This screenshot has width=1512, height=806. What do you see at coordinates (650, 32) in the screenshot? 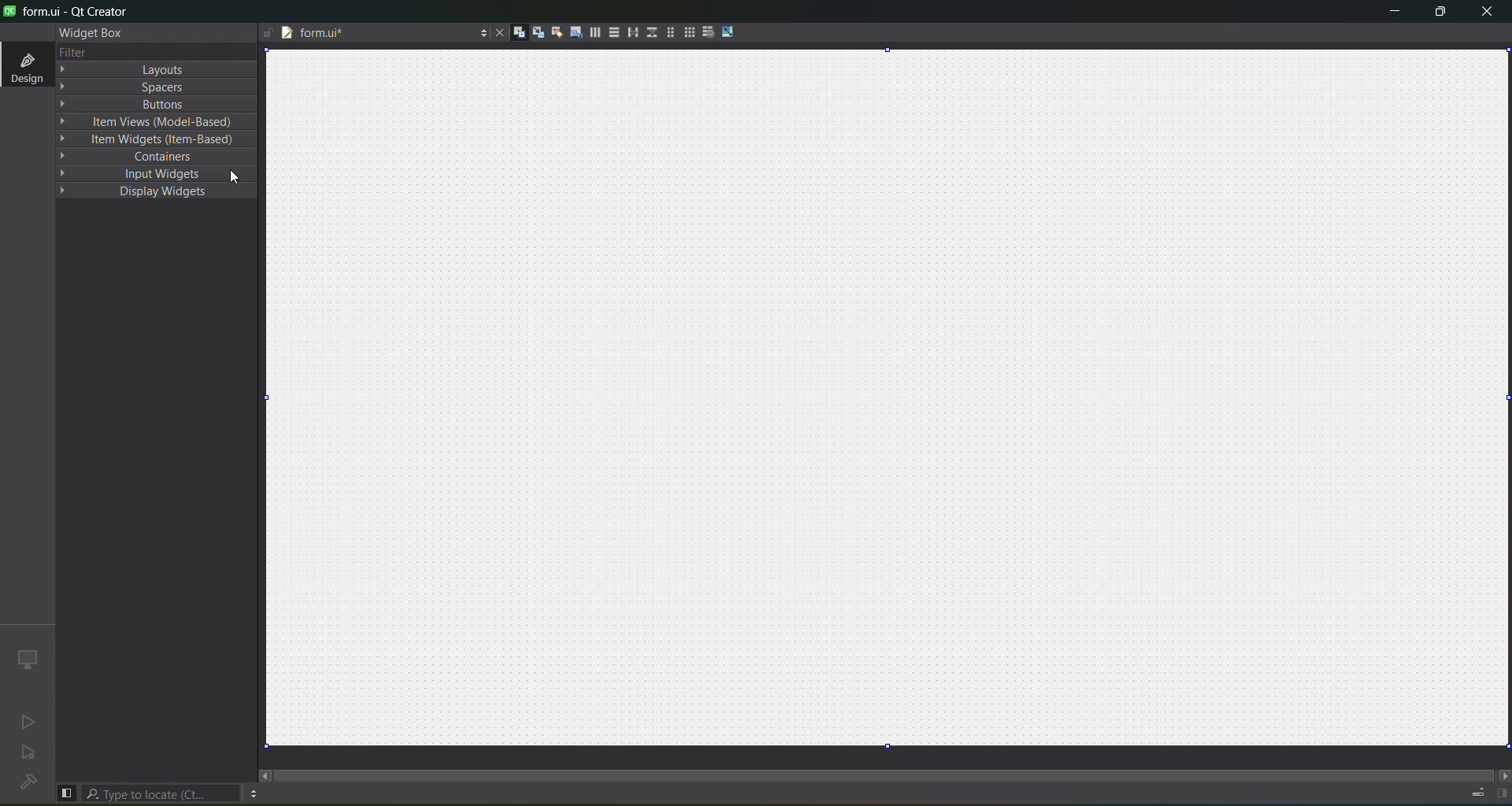
I see `vertical splitter` at bounding box center [650, 32].